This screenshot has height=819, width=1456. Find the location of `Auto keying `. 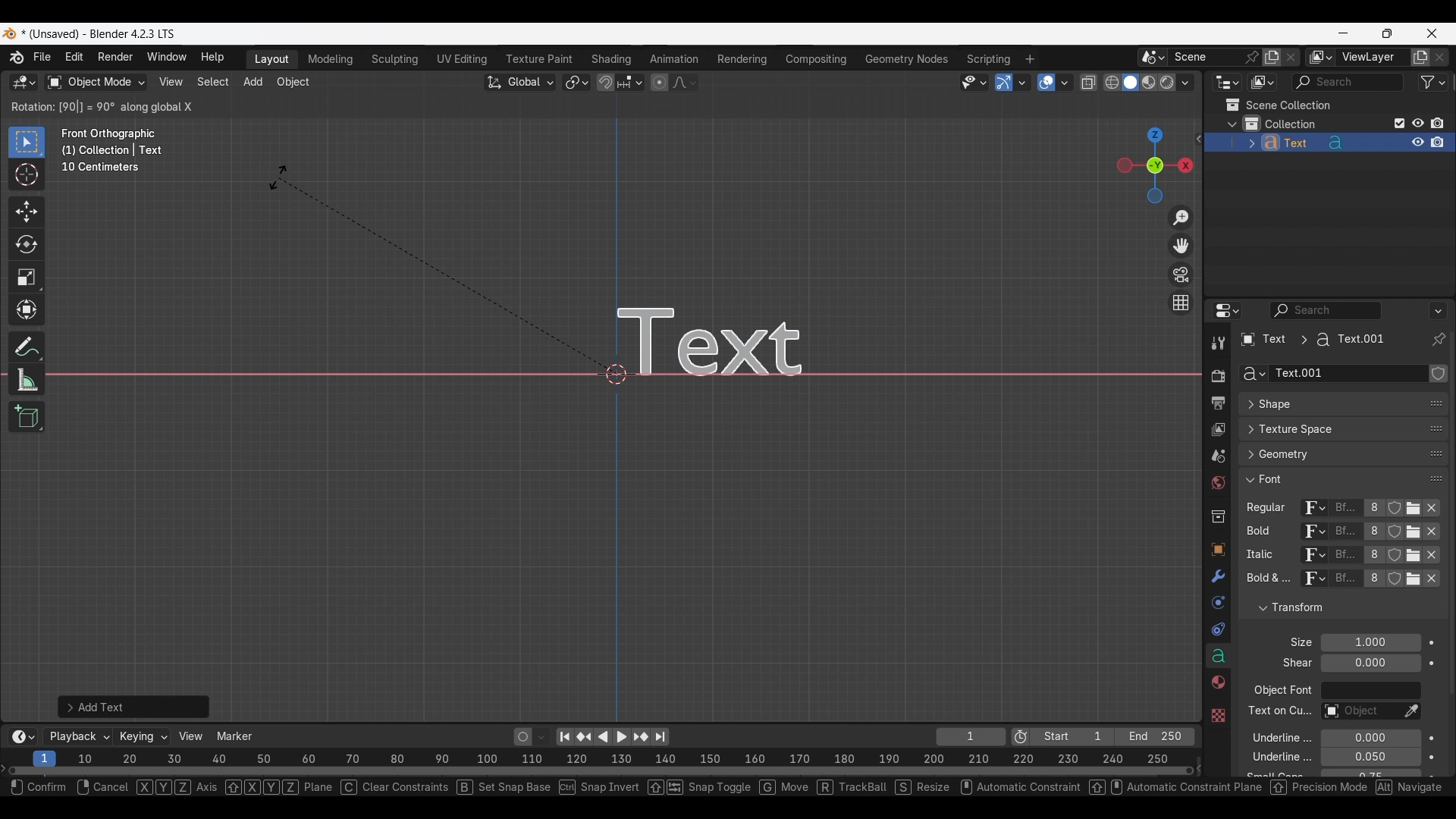

Auto keying  is located at coordinates (523, 737).